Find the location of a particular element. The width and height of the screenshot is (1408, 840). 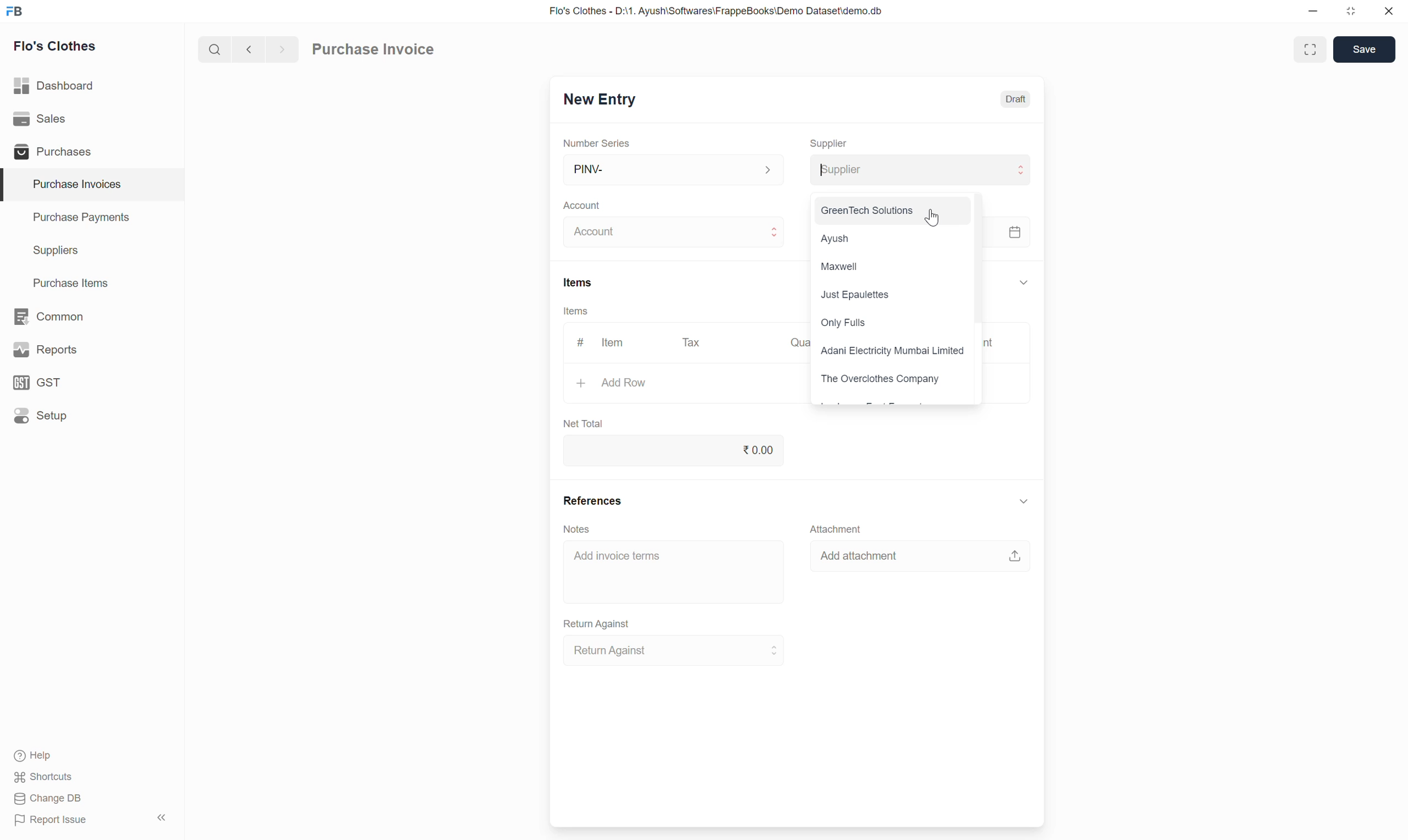

Setup is located at coordinates (91, 415).